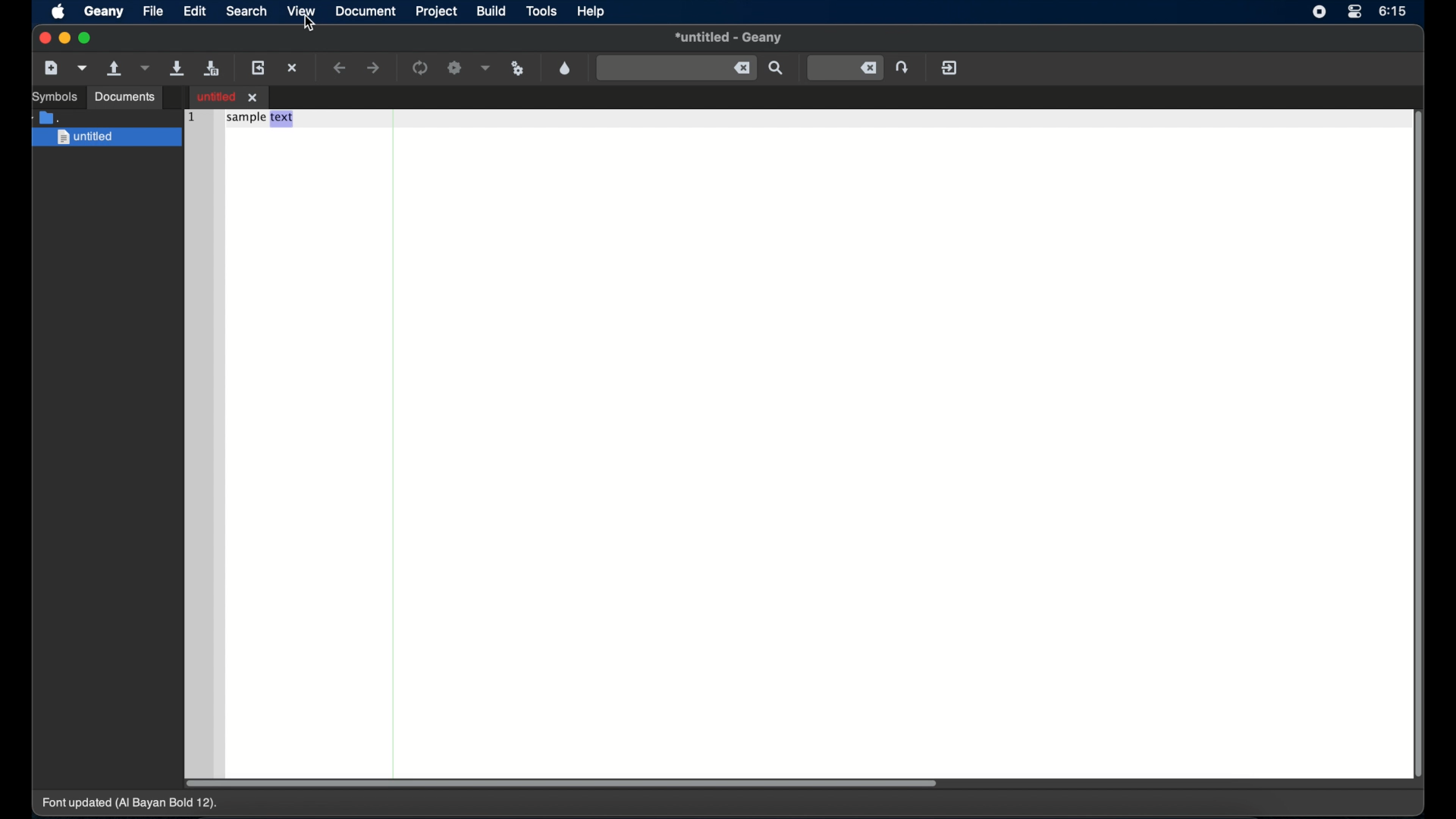 The image size is (1456, 819). What do you see at coordinates (340, 68) in the screenshot?
I see `navigate backward a location` at bounding box center [340, 68].